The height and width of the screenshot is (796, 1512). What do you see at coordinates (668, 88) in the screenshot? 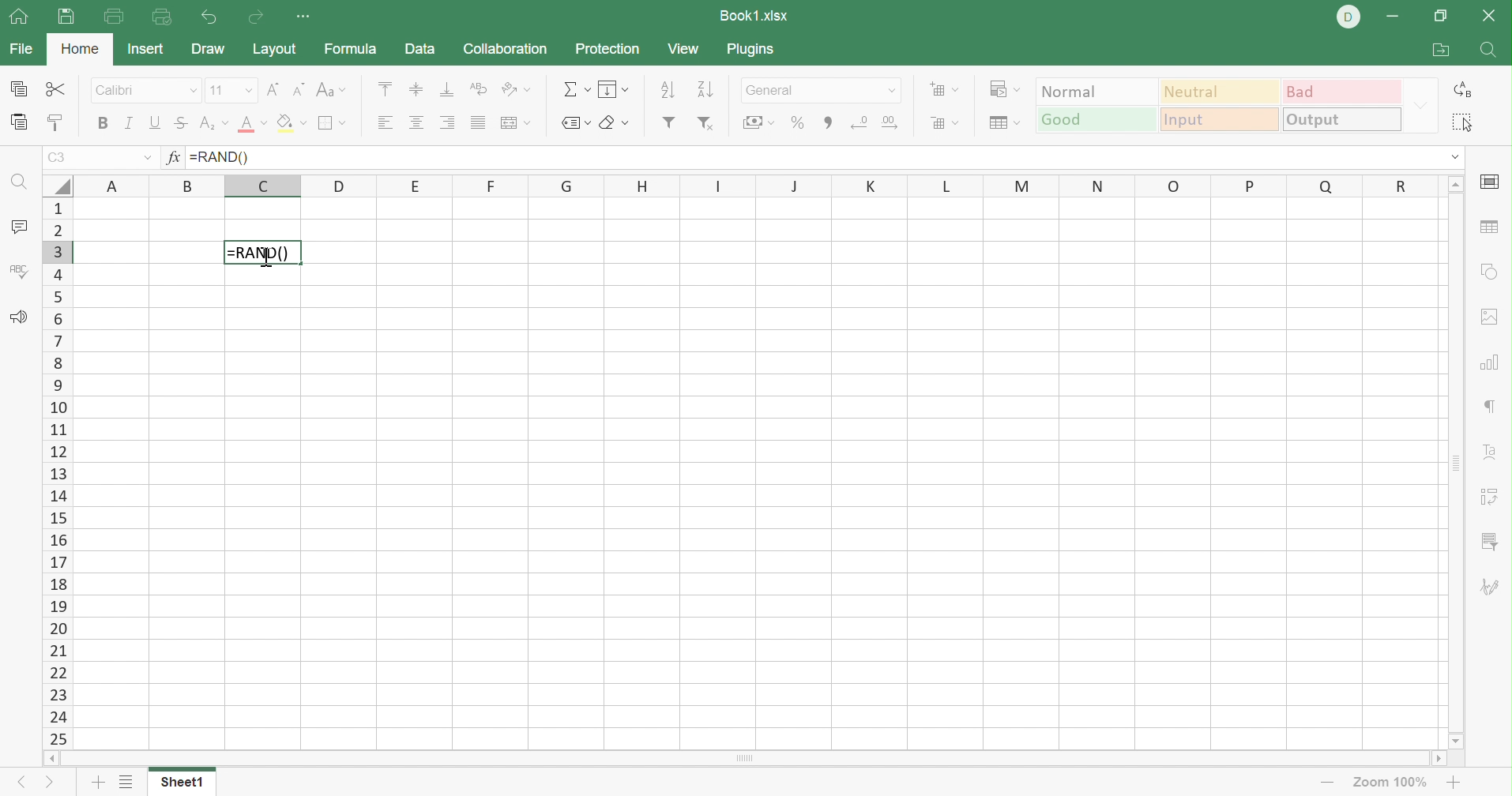
I see `Sort ascending` at bounding box center [668, 88].